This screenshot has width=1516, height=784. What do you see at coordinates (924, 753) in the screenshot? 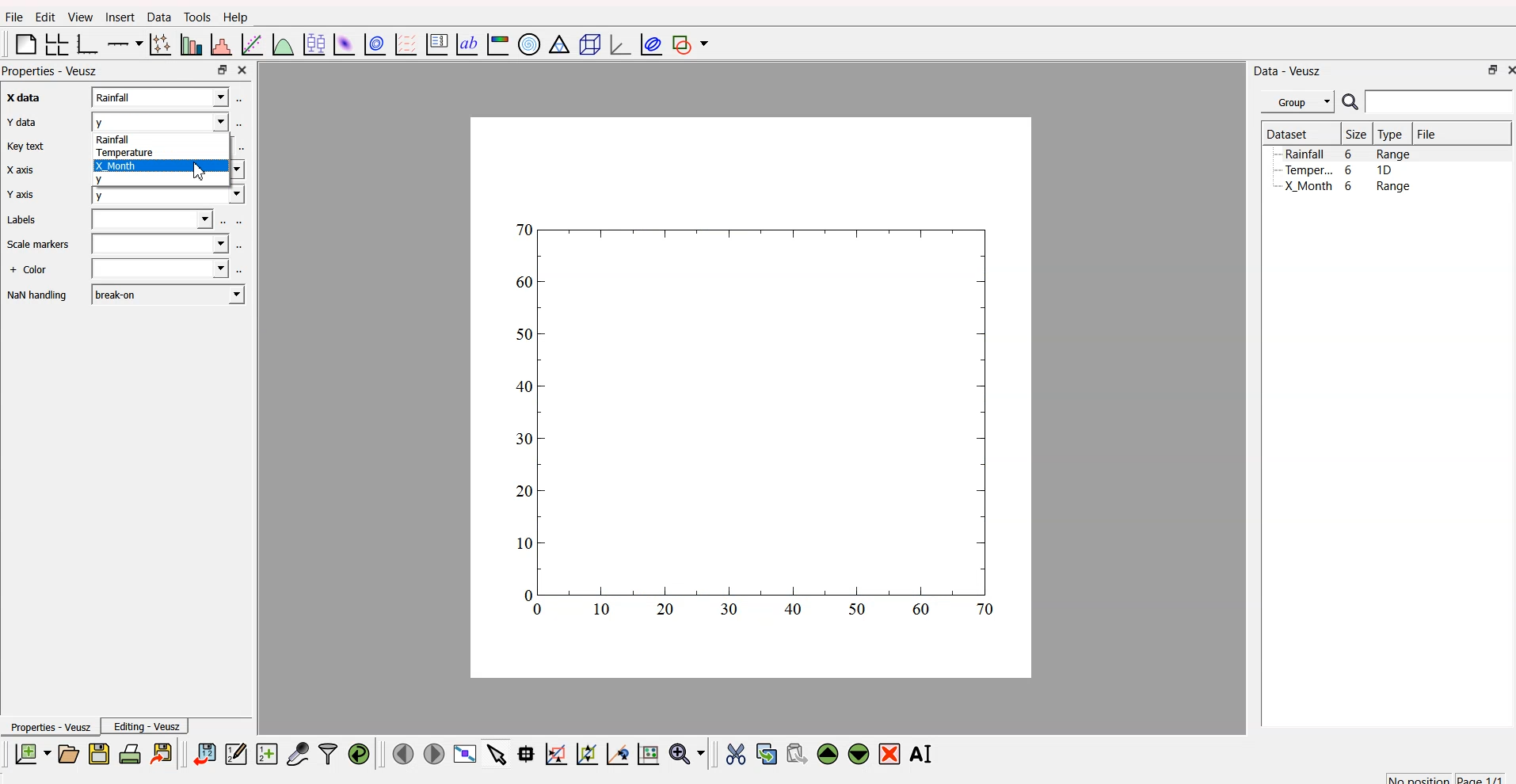
I see `rename the selected widget` at bounding box center [924, 753].